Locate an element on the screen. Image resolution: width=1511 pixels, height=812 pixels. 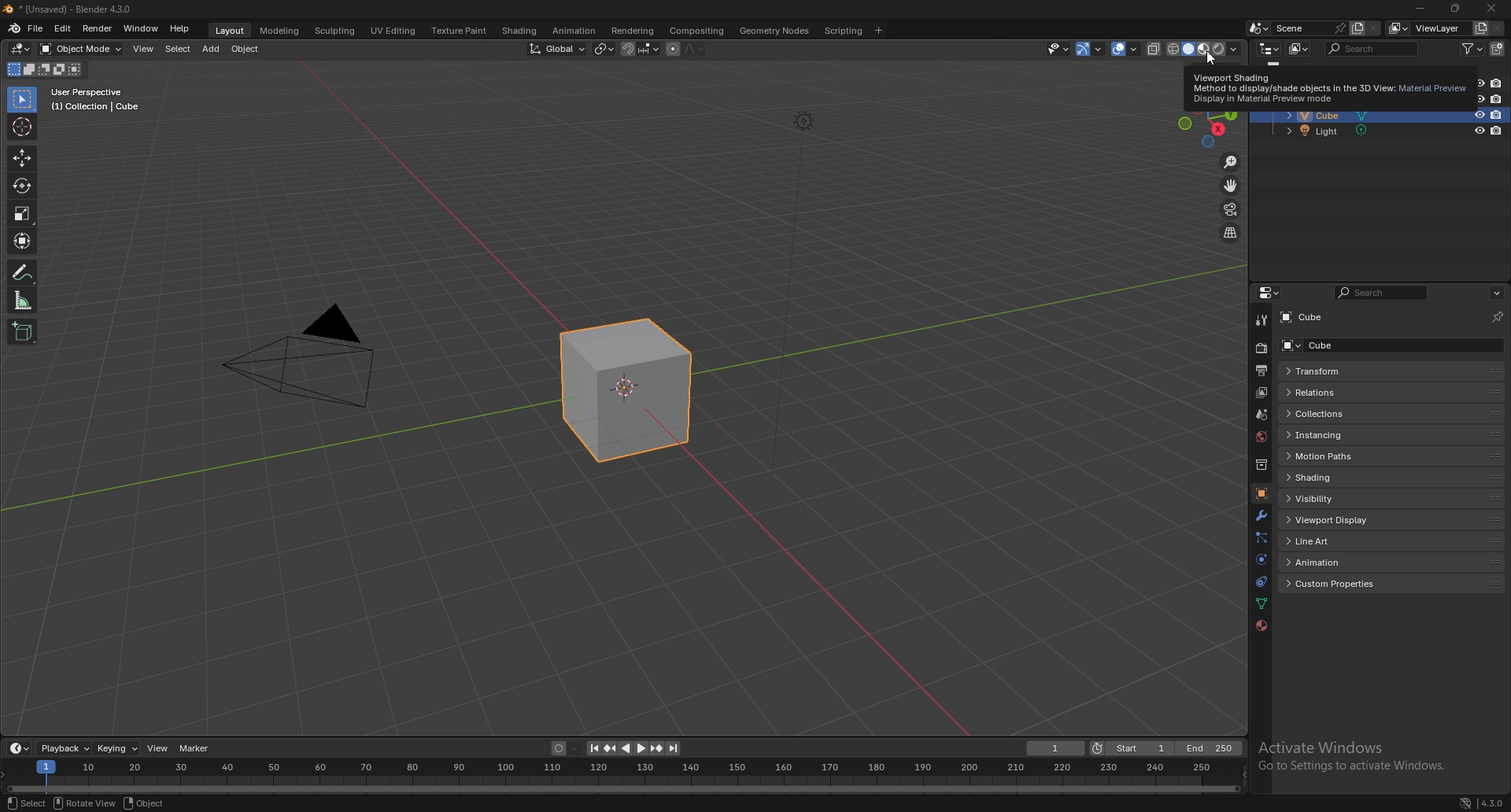
object mode is located at coordinates (81, 49).